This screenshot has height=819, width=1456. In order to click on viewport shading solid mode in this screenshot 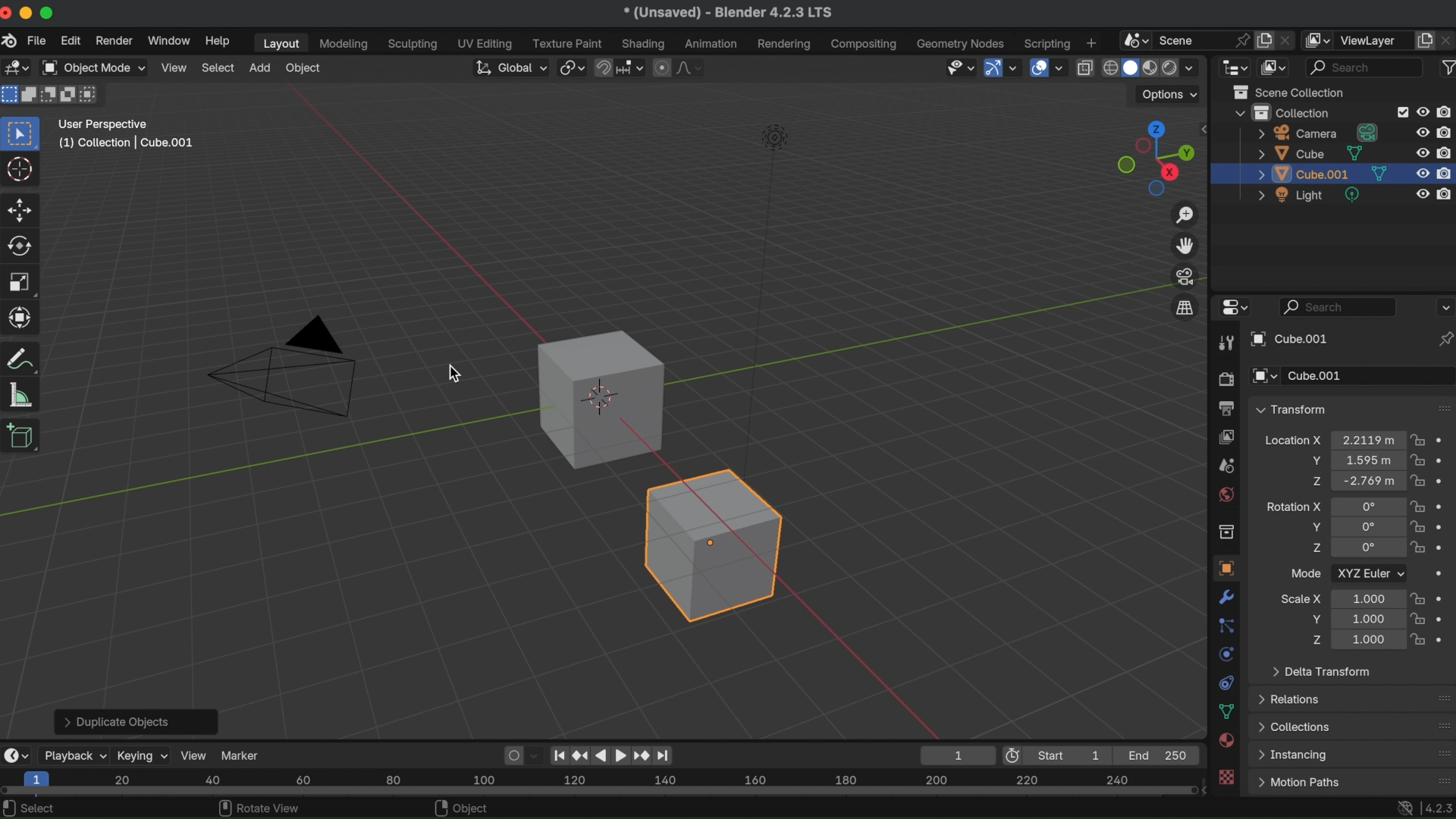, I will do `click(1130, 66)`.